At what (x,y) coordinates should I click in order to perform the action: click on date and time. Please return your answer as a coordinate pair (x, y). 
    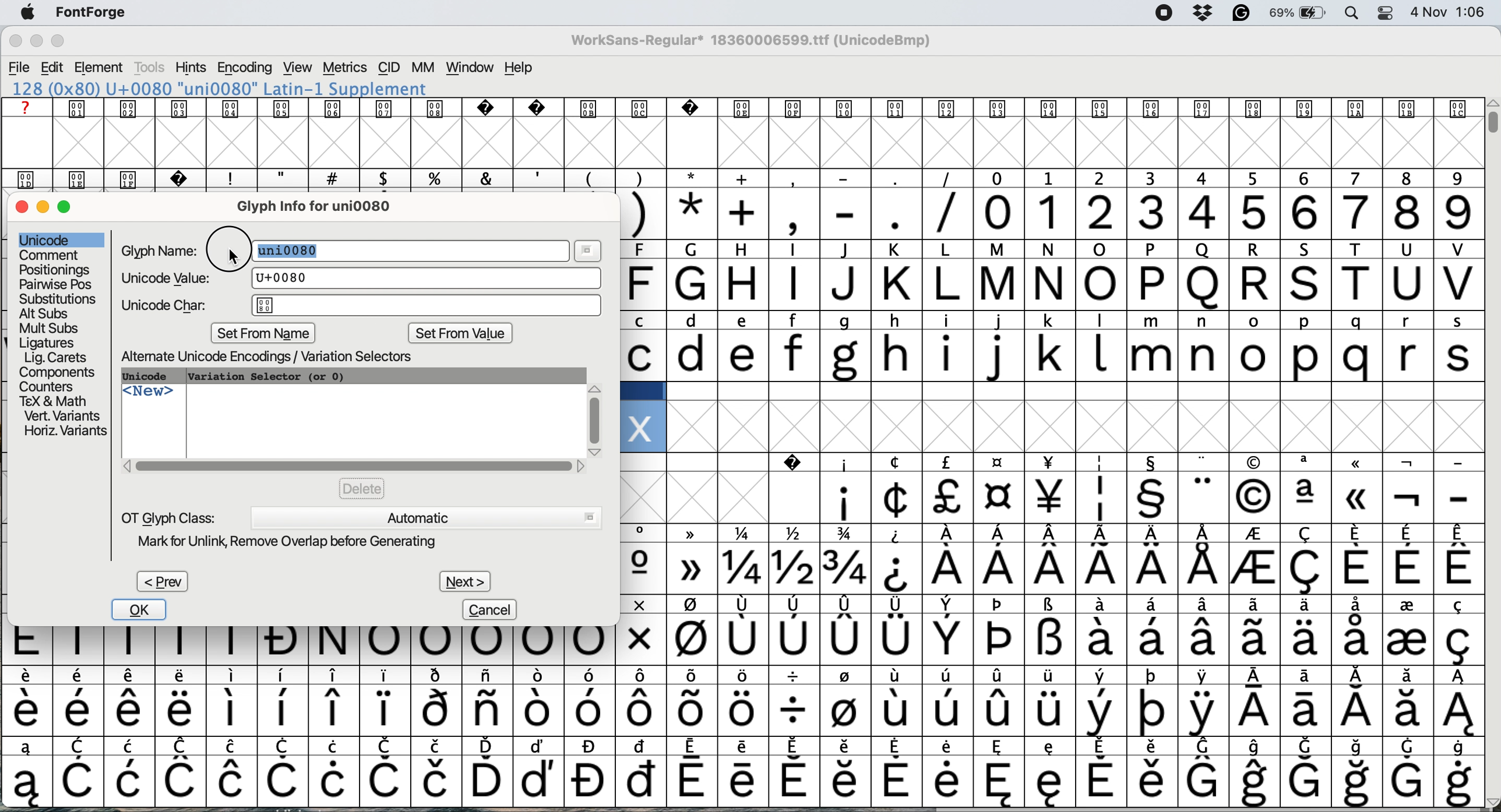
    Looking at the image, I should click on (1449, 12).